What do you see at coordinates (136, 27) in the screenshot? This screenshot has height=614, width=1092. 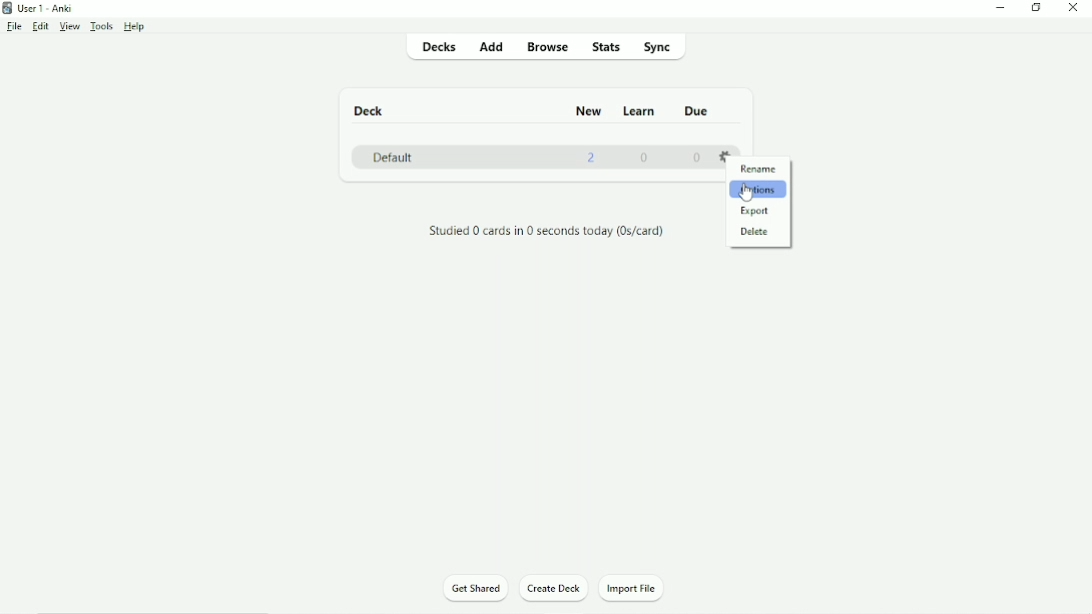 I see `Help` at bounding box center [136, 27].